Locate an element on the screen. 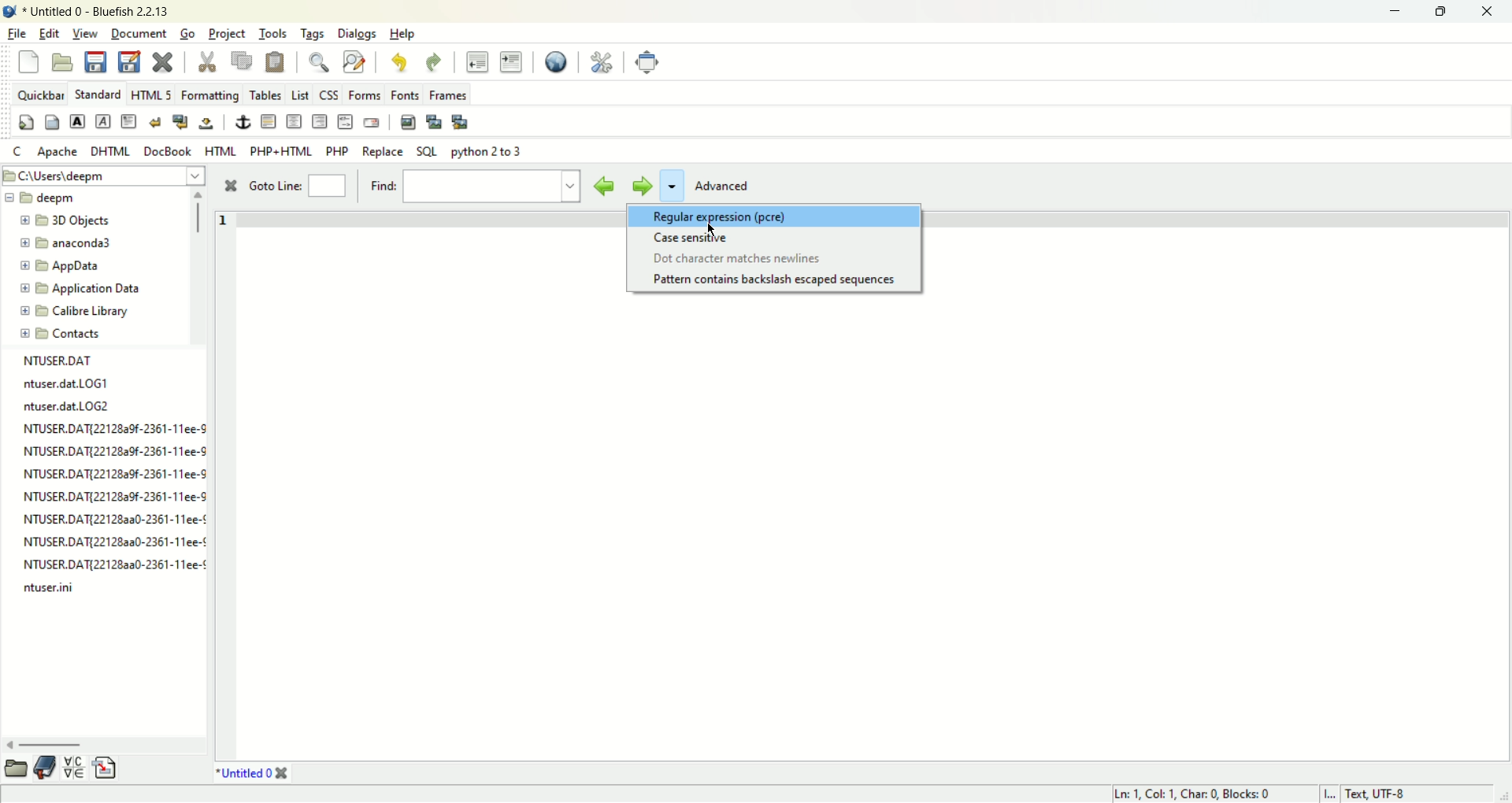  minimize is located at coordinates (1392, 13).